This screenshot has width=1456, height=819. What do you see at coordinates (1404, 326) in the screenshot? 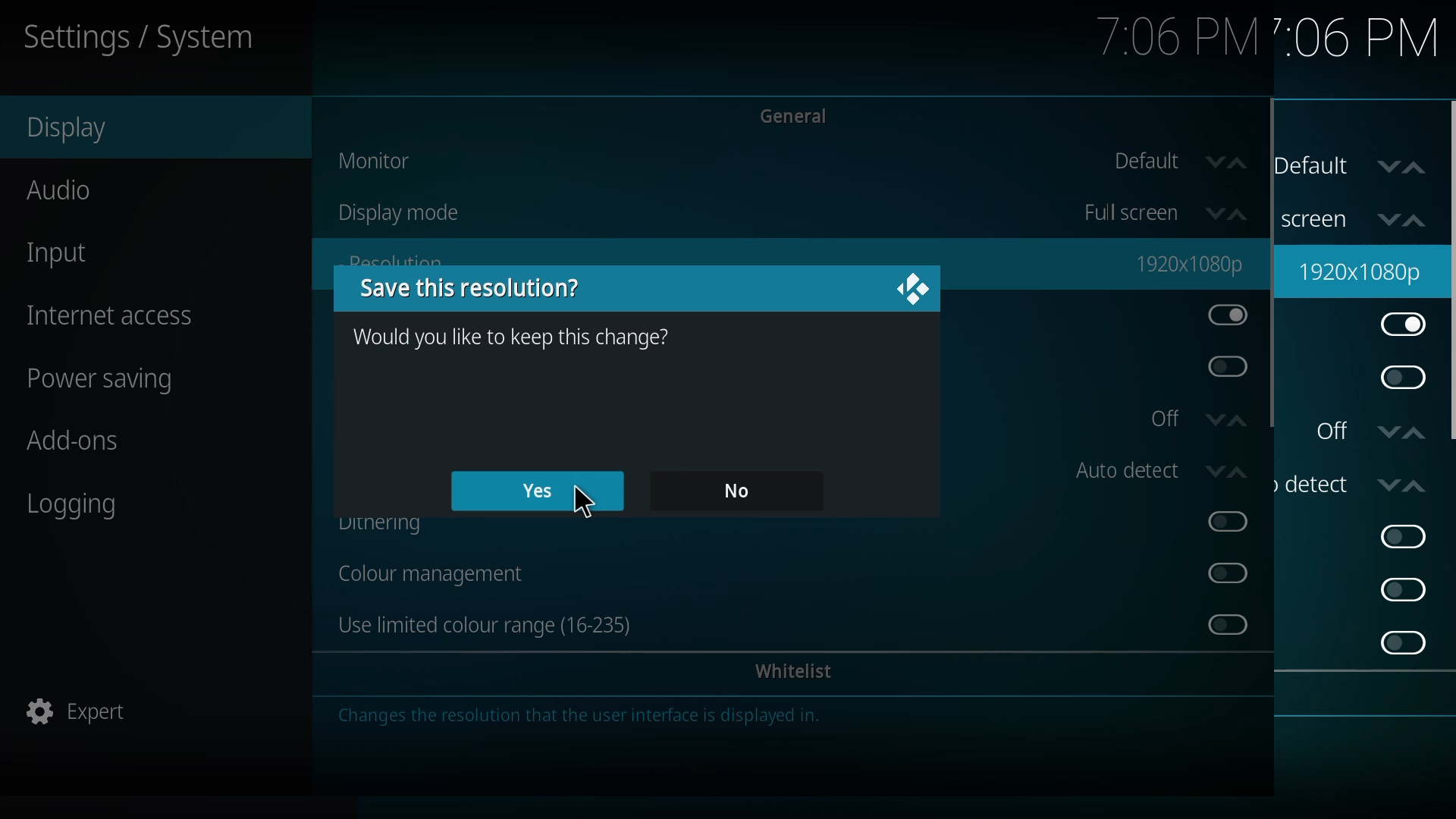
I see `enabled` at bounding box center [1404, 326].